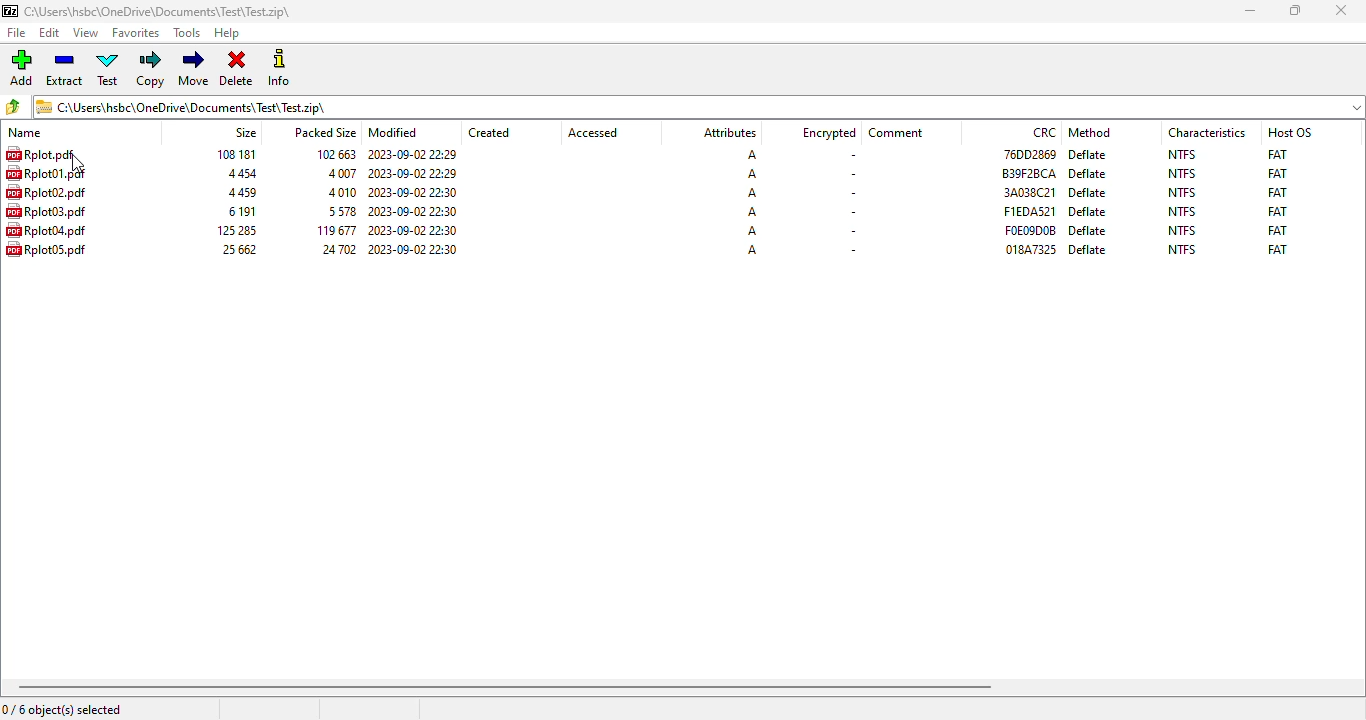 Image resolution: width=1366 pixels, height=720 pixels. What do you see at coordinates (238, 249) in the screenshot?
I see `size` at bounding box center [238, 249].